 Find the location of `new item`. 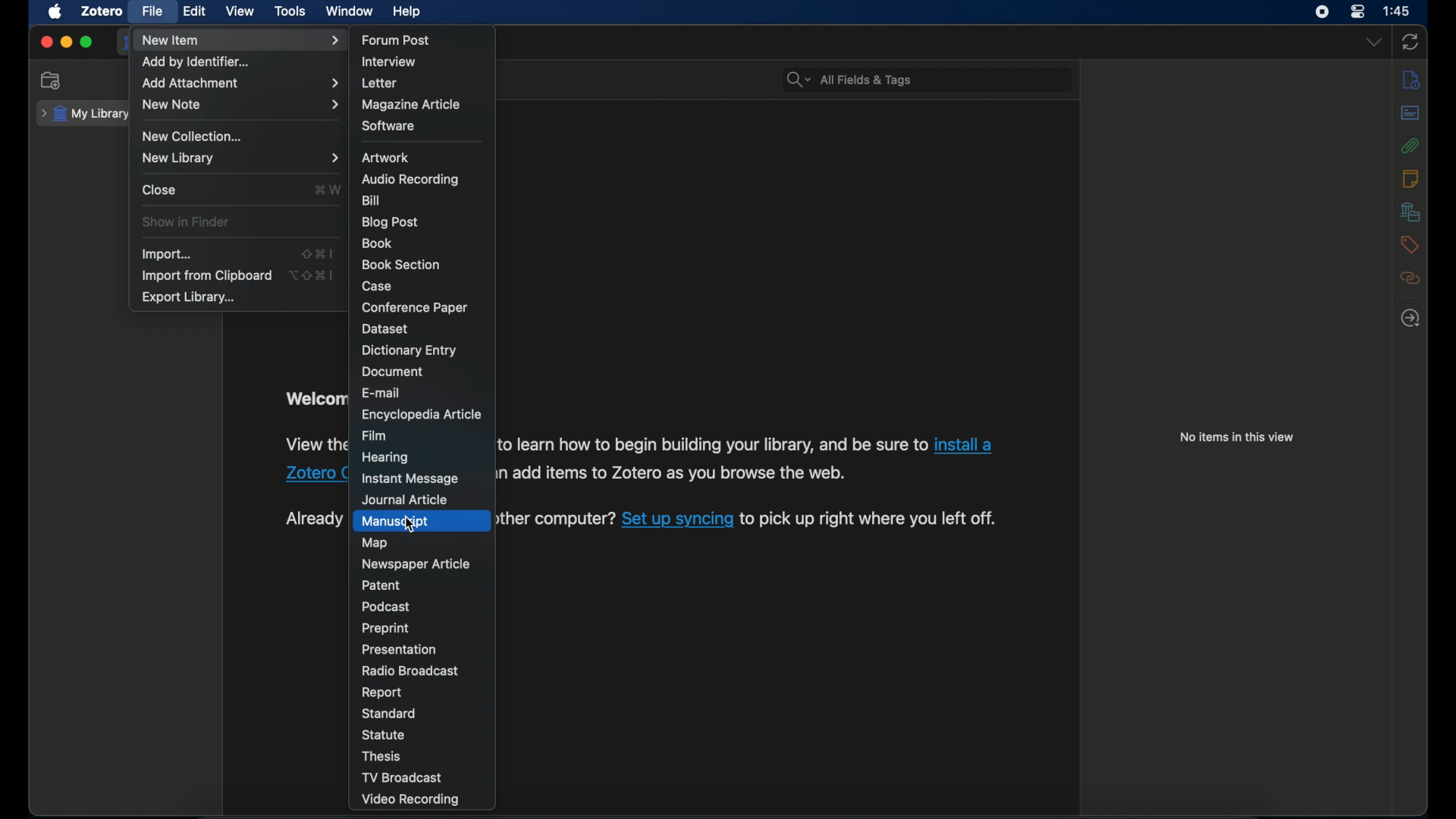

new item is located at coordinates (240, 40).